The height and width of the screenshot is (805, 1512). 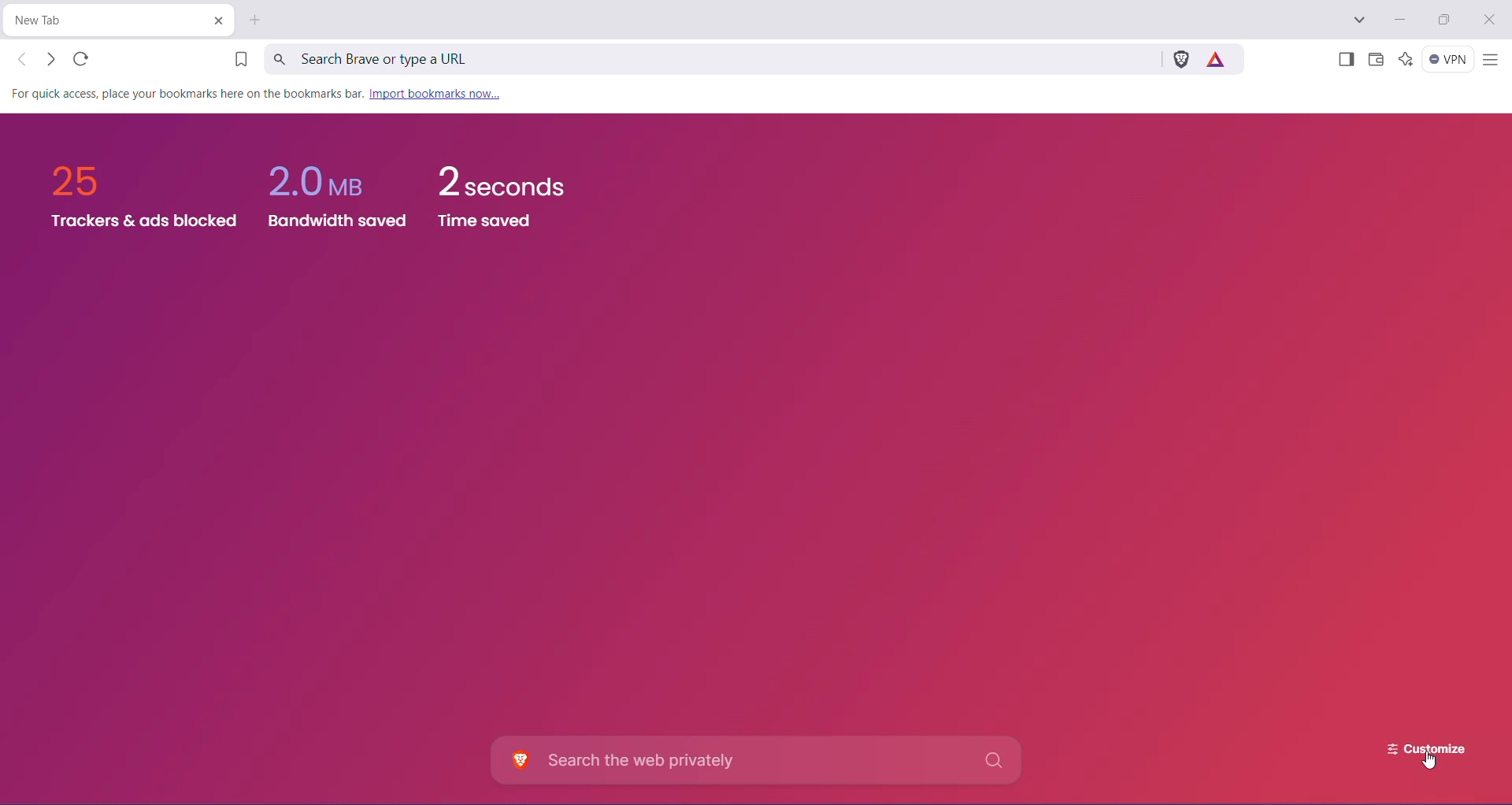 I want to click on Brave Shields, so click(x=1180, y=58).